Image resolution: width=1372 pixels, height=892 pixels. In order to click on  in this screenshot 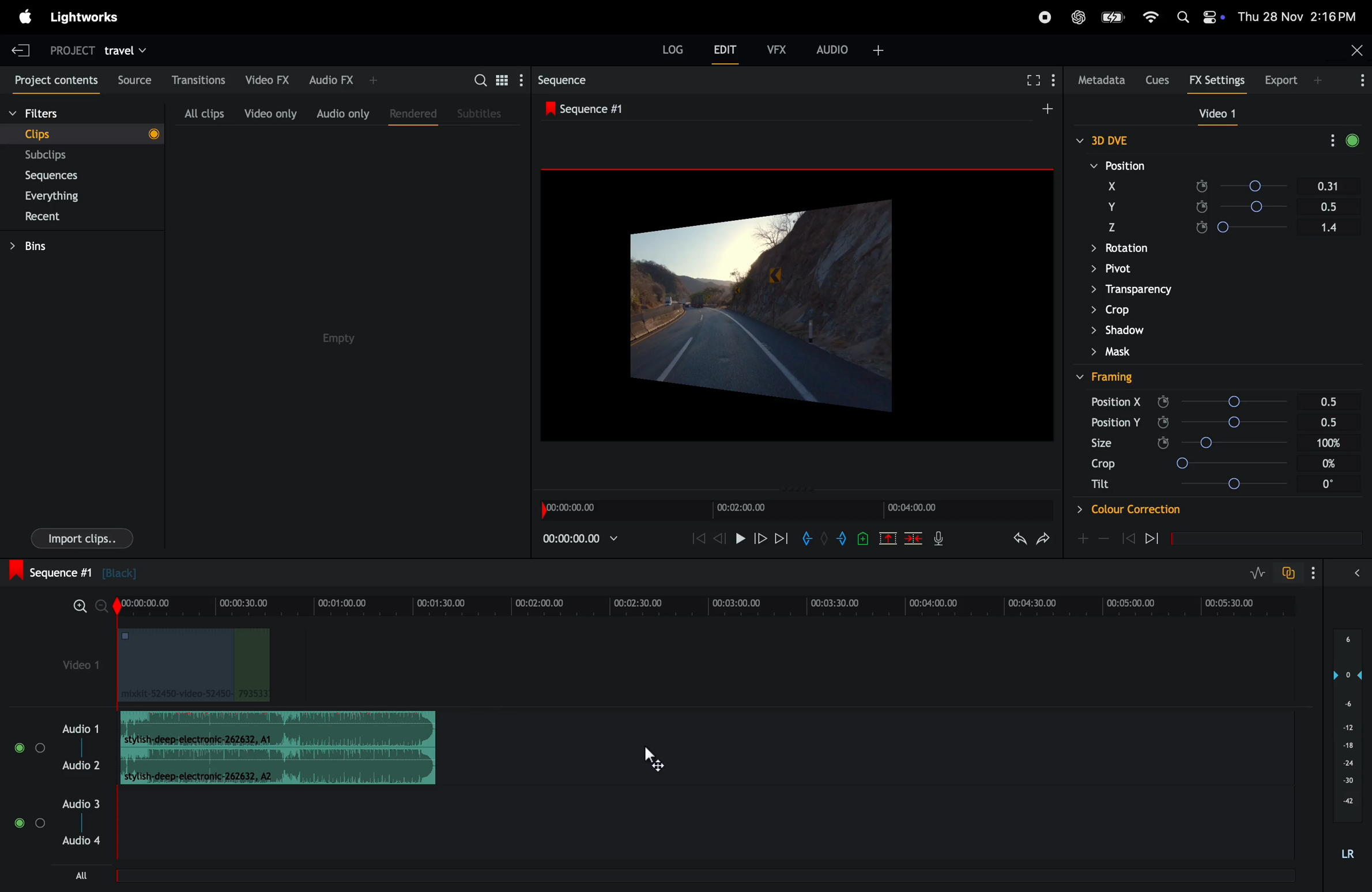, I will do `click(1139, 350)`.